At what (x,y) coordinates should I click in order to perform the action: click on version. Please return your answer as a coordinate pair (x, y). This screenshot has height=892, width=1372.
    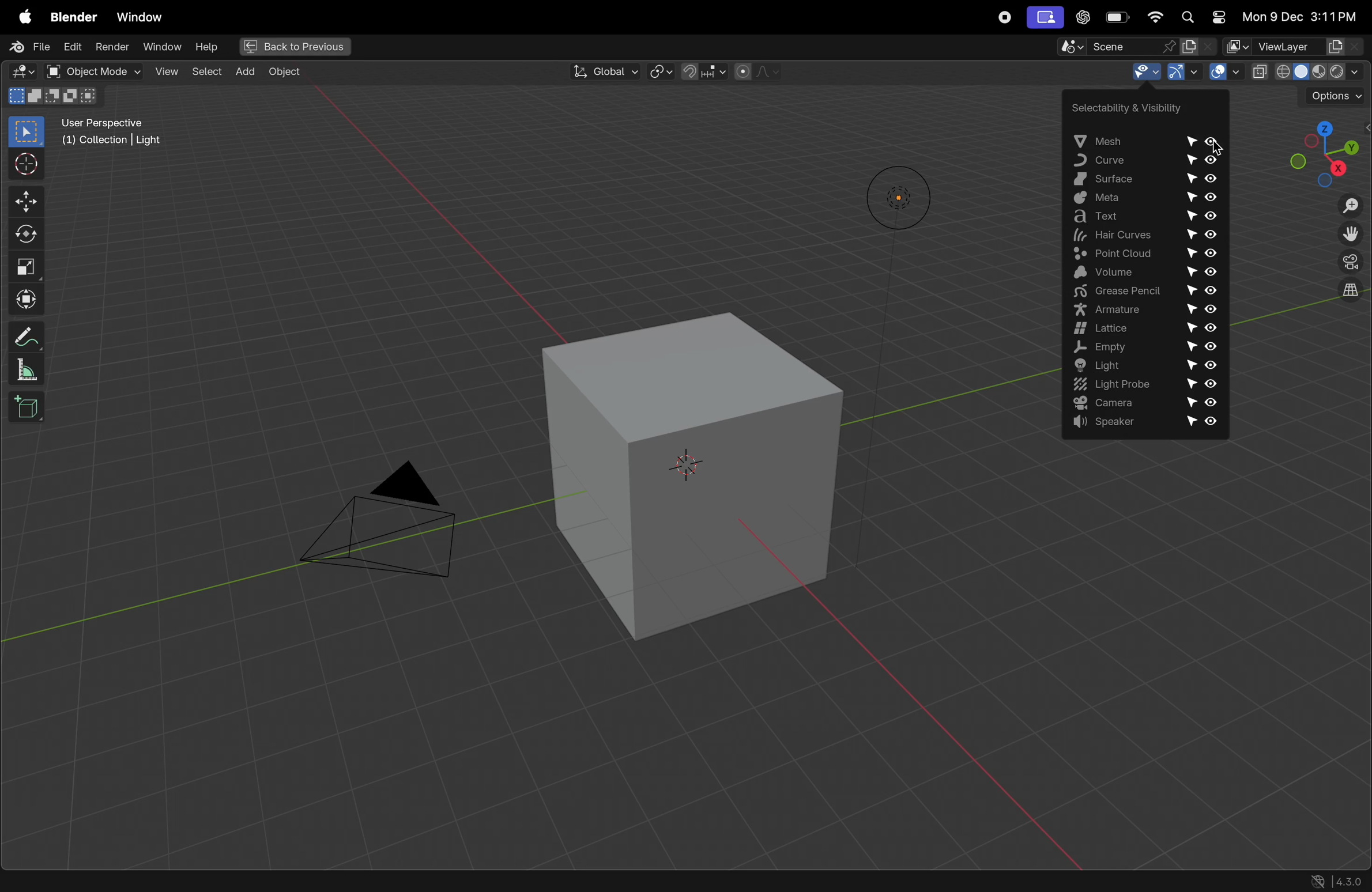
    Looking at the image, I should click on (1336, 880).